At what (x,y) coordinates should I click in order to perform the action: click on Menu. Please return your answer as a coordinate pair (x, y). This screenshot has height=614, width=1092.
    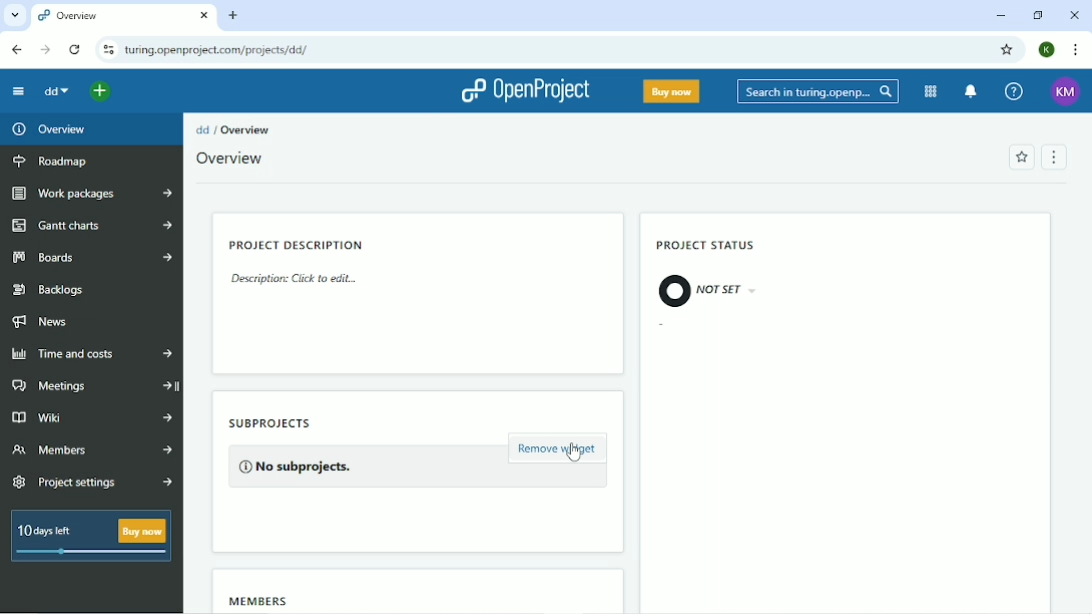
    Looking at the image, I should click on (1052, 158).